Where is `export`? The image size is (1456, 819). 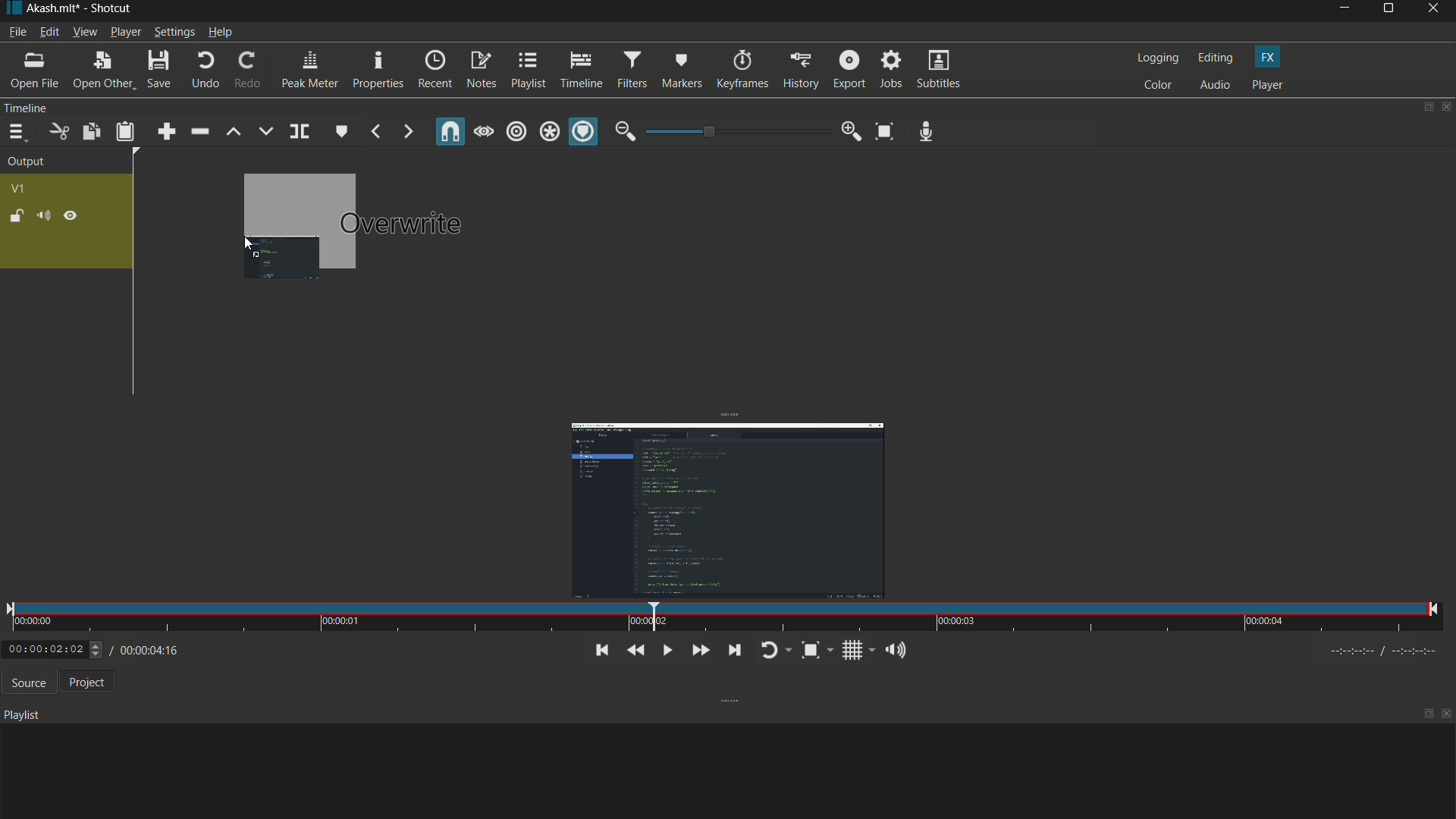
export is located at coordinates (847, 70).